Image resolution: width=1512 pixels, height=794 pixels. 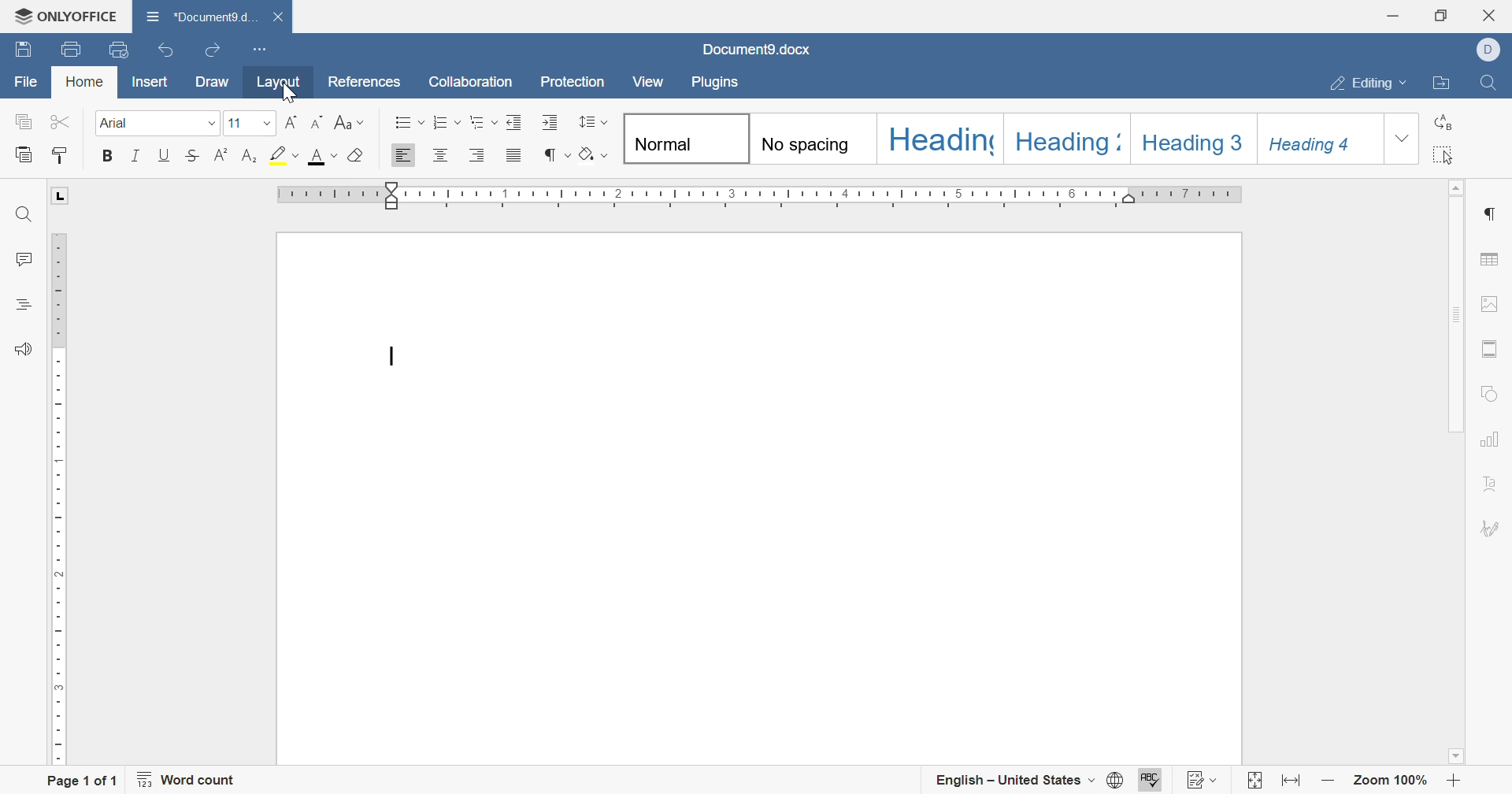 What do you see at coordinates (573, 85) in the screenshot?
I see `protection` at bounding box center [573, 85].